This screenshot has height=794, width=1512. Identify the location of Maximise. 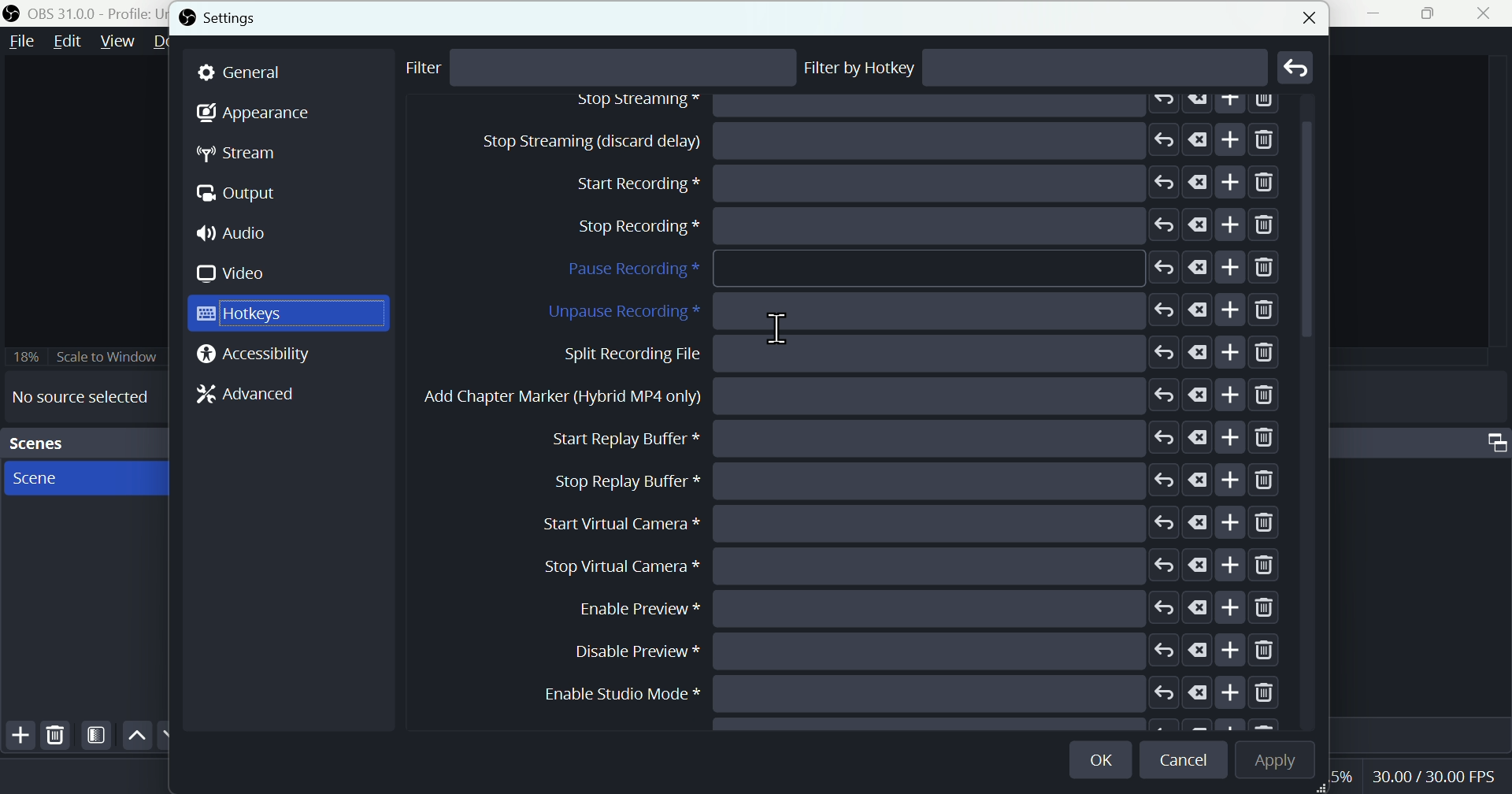
(1434, 13).